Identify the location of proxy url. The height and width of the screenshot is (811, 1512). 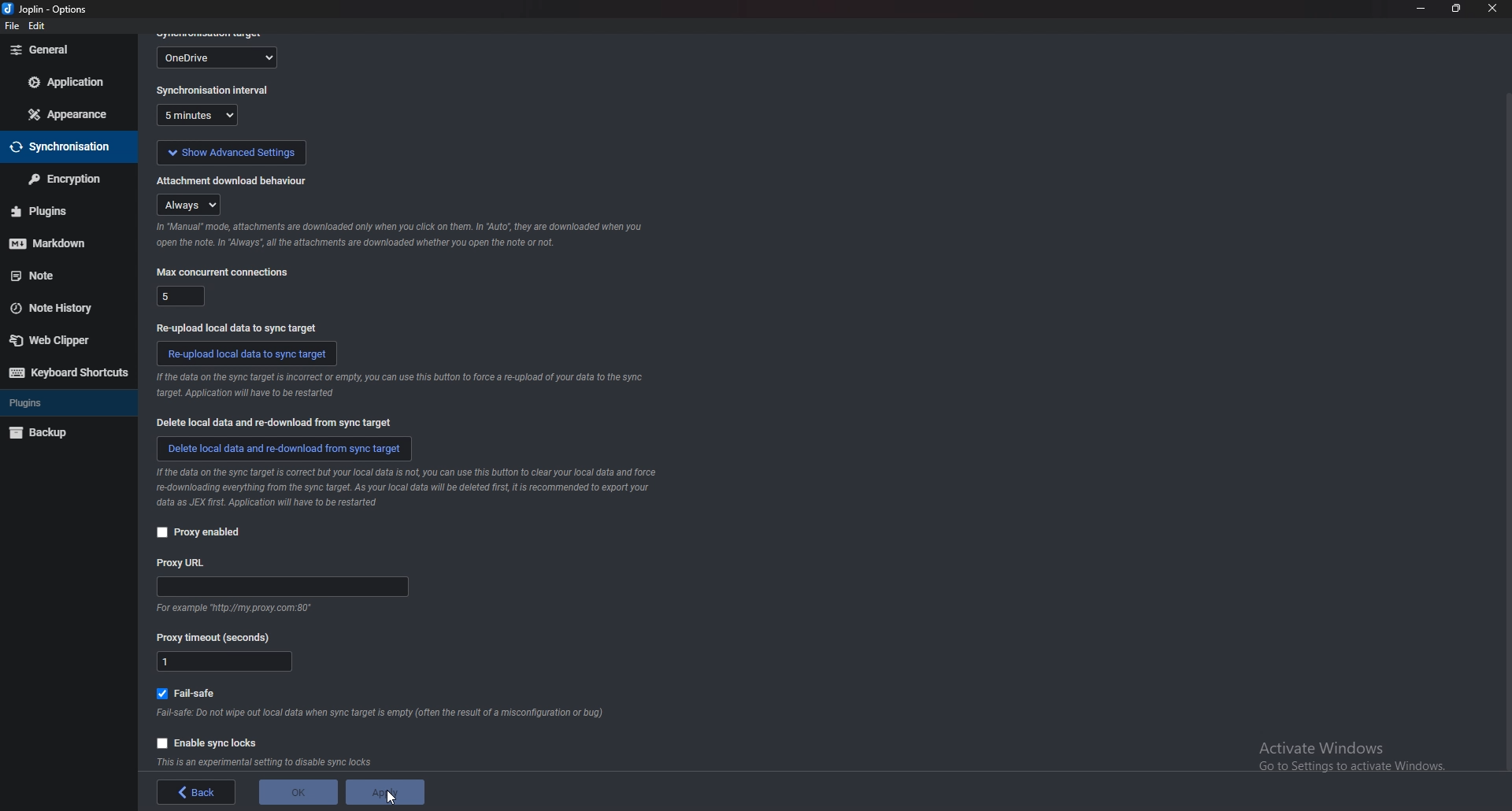
(183, 562).